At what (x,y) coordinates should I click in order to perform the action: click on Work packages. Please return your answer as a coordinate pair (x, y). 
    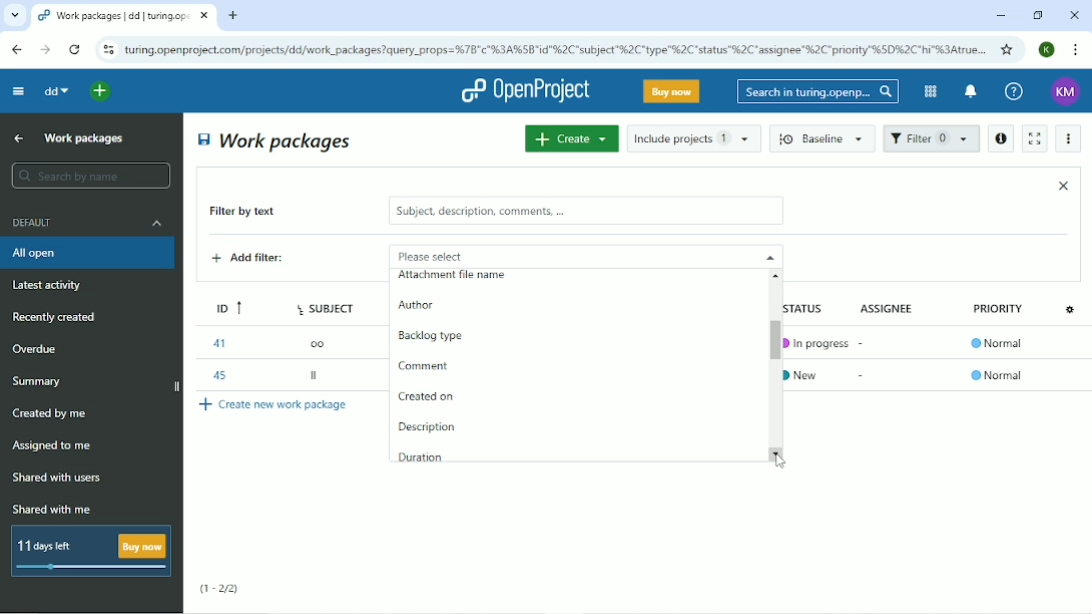
    Looking at the image, I should click on (85, 137).